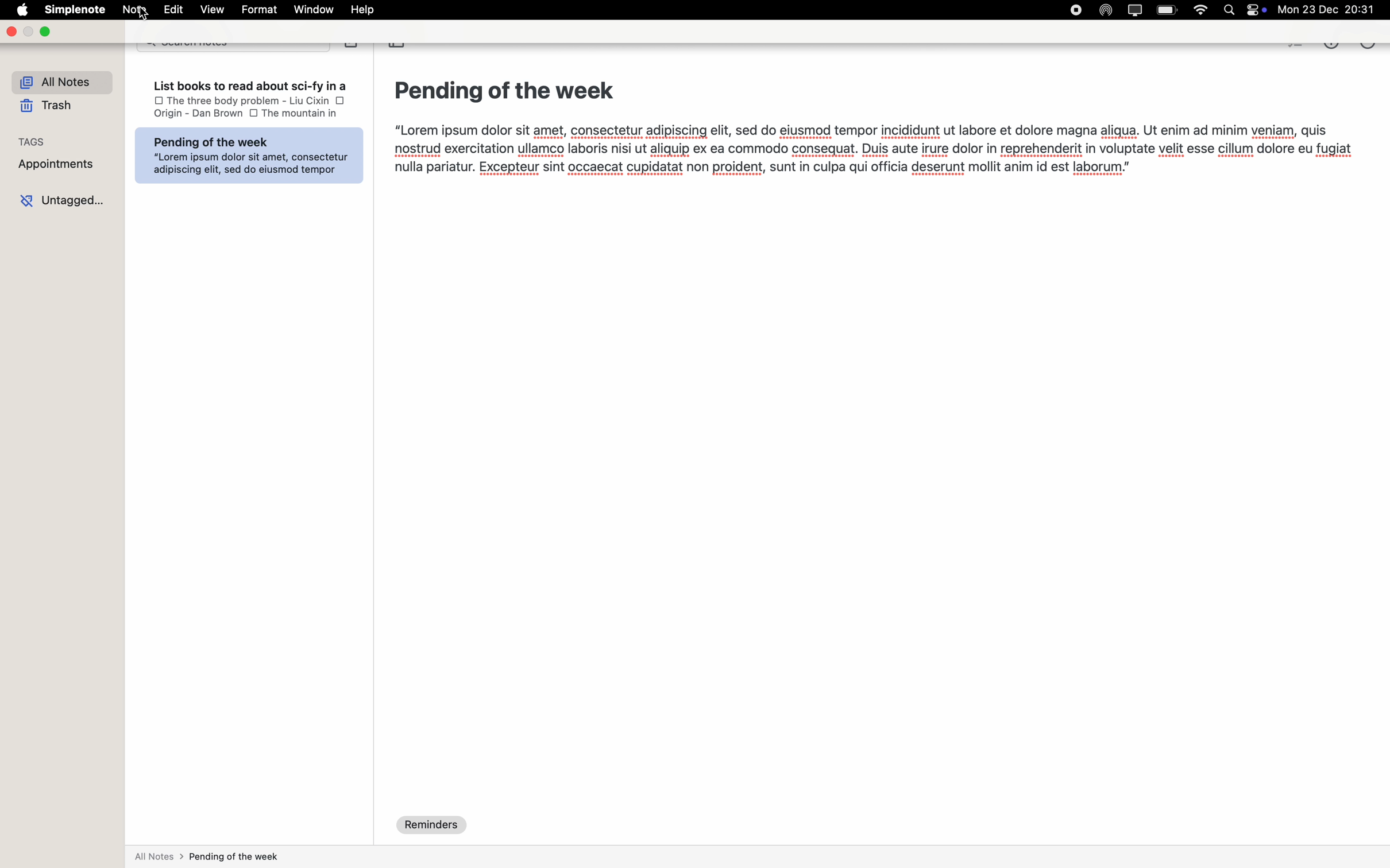 The height and width of the screenshot is (868, 1390). What do you see at coordinates (340, 102) in the screenshot?
I see `checkbox` at bounding box center [340, 102].